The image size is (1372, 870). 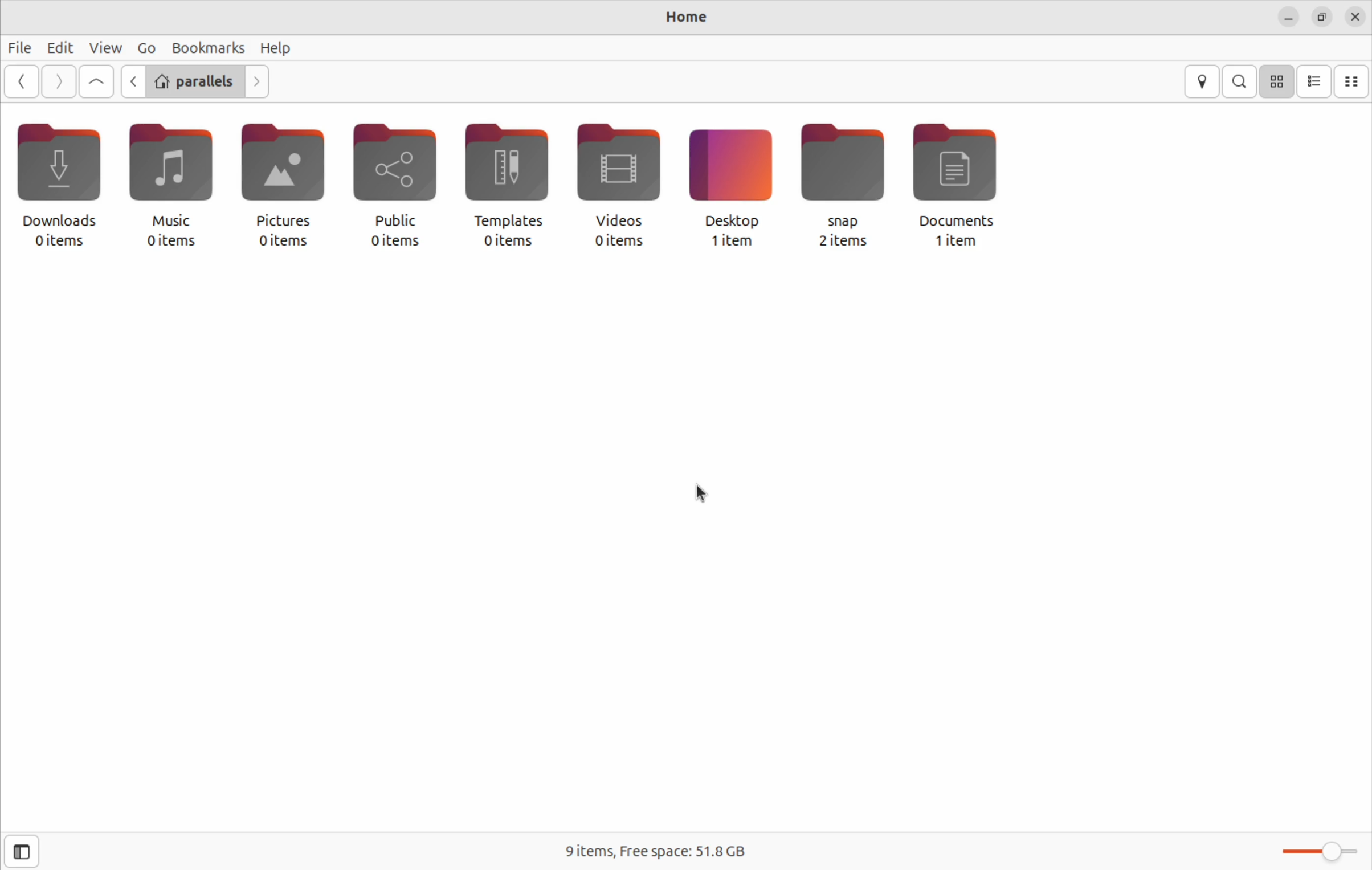 I want to click on book marks, so click(x=206, y=46).